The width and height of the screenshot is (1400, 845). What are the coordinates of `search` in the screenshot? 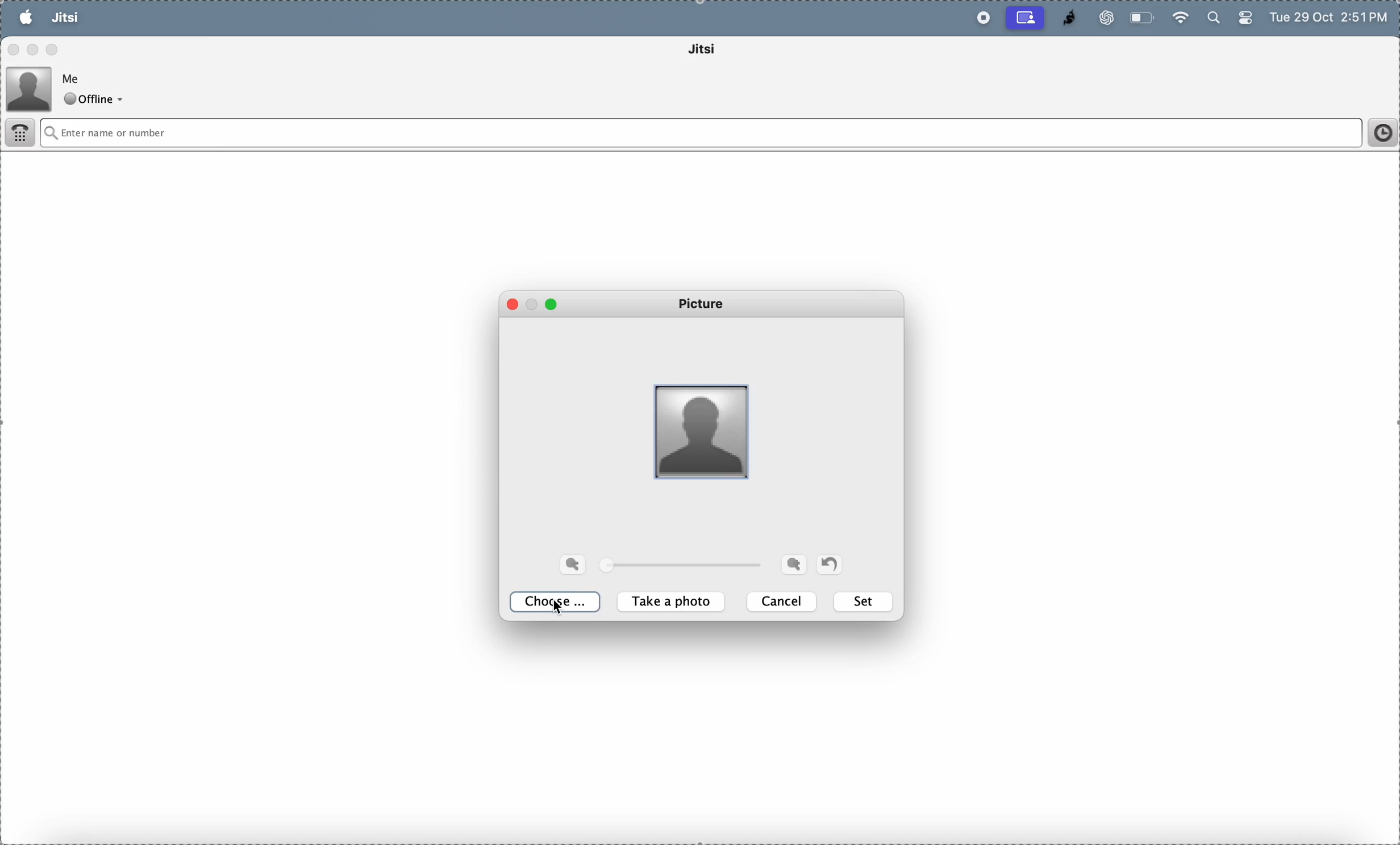 It's located at (1212, 19).